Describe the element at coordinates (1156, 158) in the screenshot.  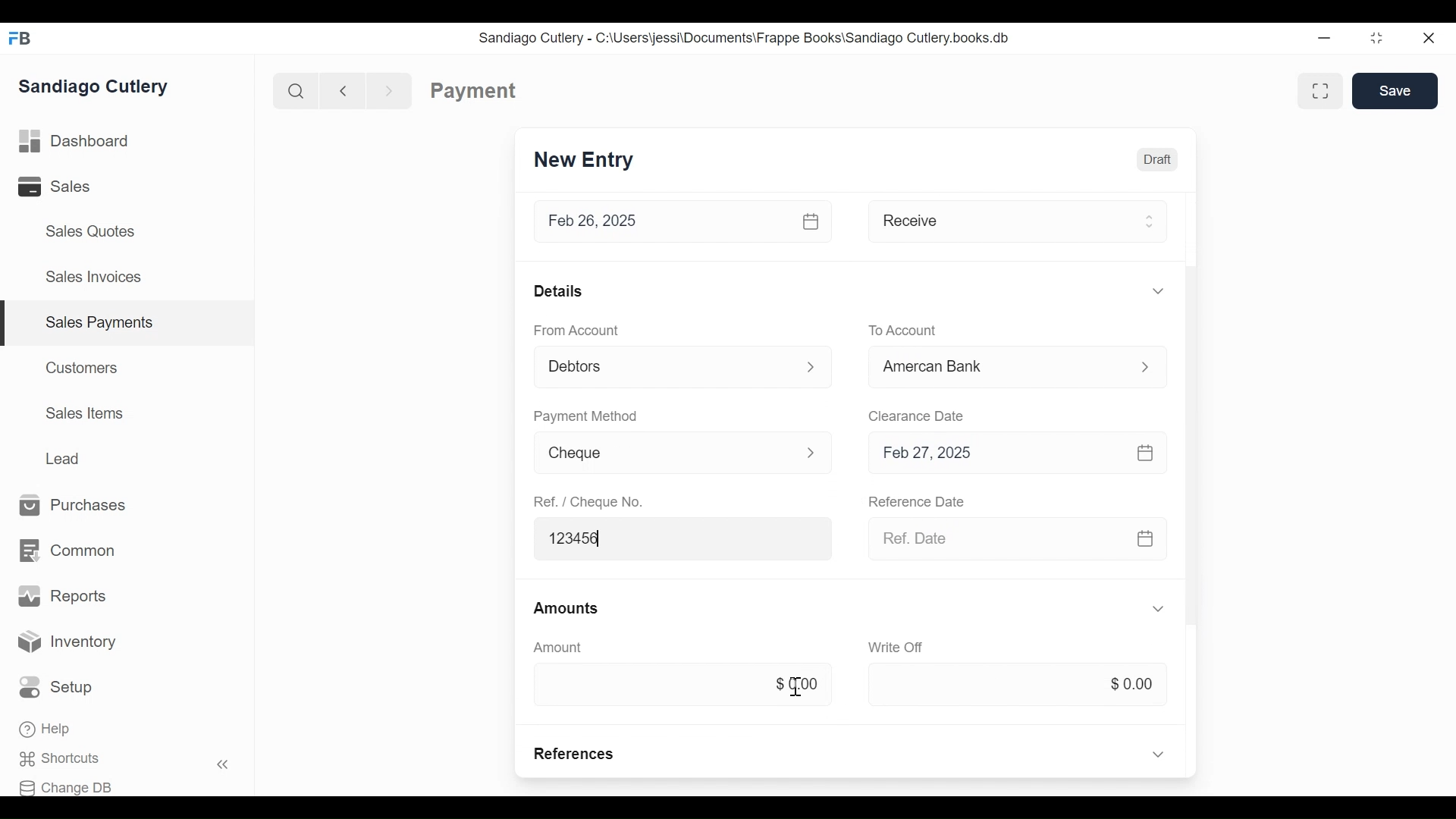
I see `Draft` at that location.